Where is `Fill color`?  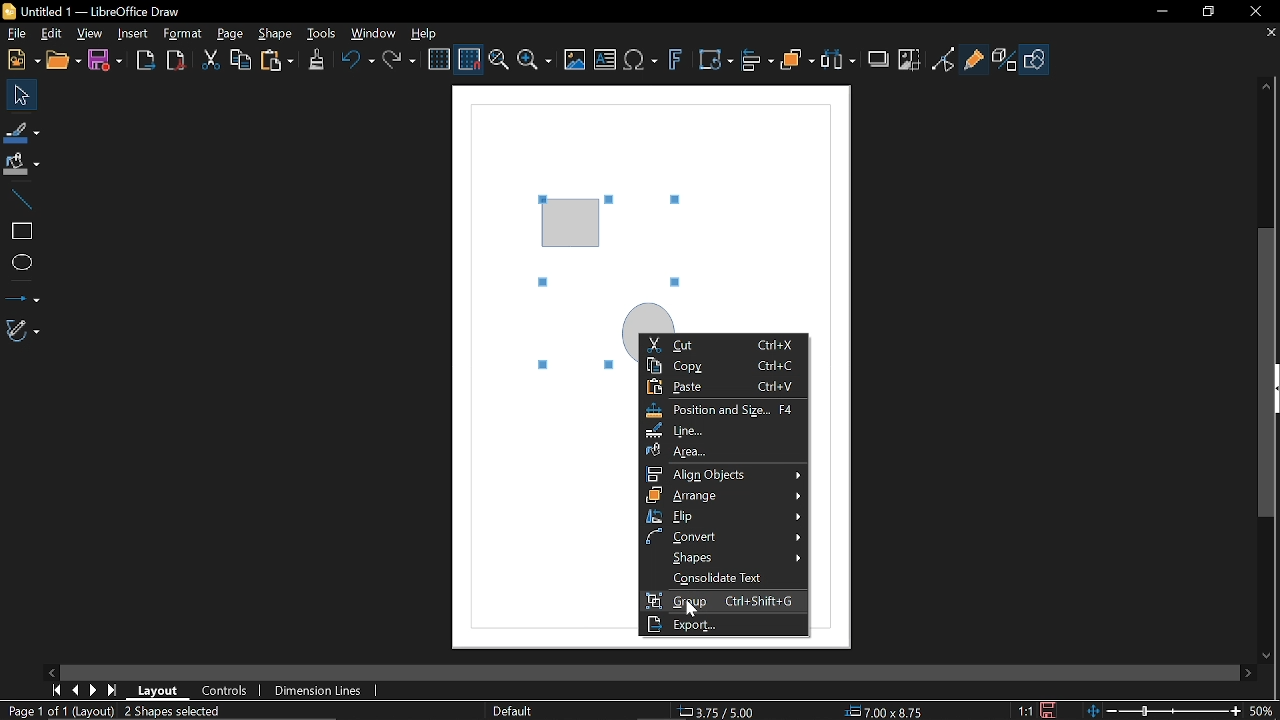 Fill color is located at coordinates (20, 162).